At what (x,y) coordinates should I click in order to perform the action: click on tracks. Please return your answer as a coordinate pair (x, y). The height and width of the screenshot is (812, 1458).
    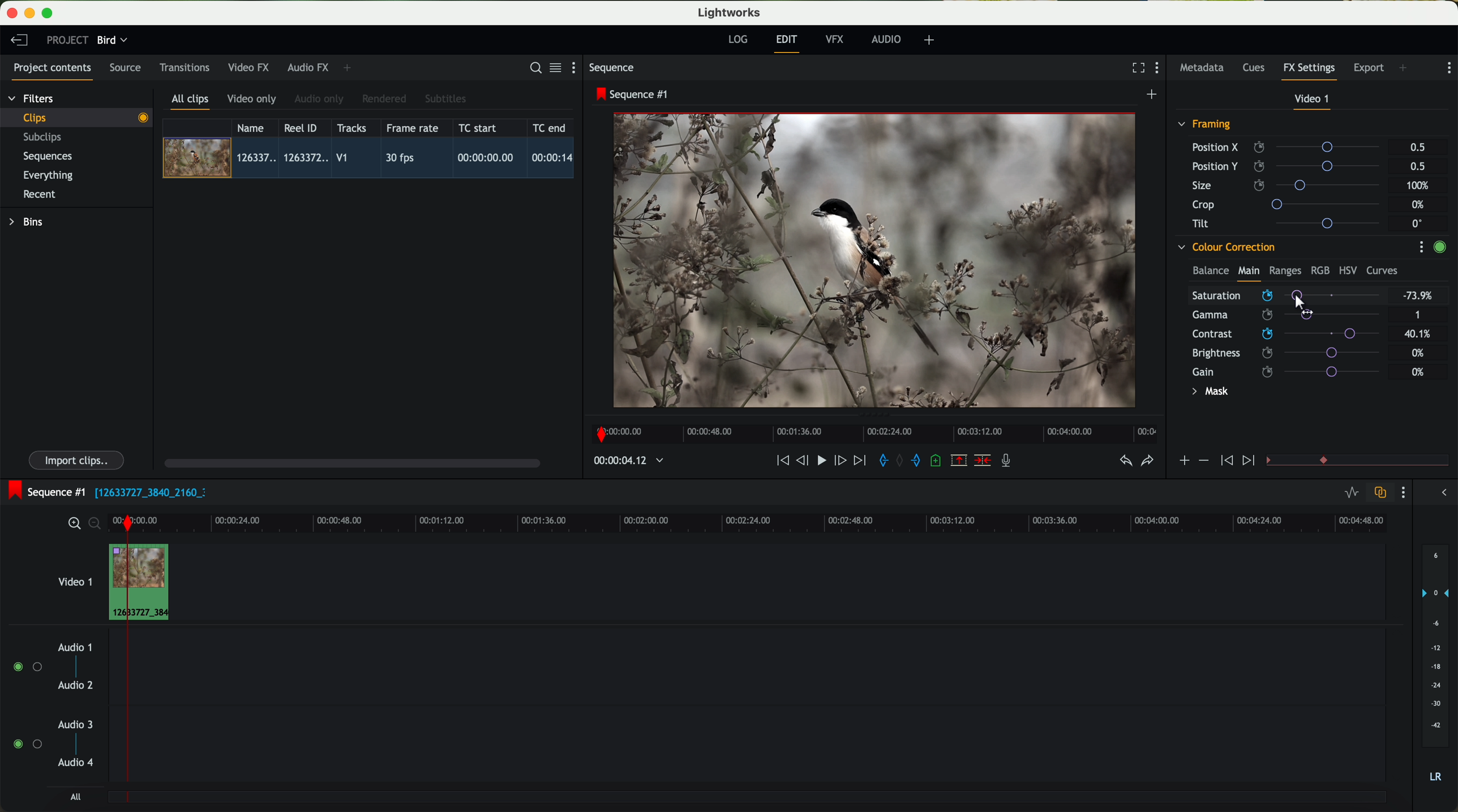
    Looking at the image, I should click on (350, 128).